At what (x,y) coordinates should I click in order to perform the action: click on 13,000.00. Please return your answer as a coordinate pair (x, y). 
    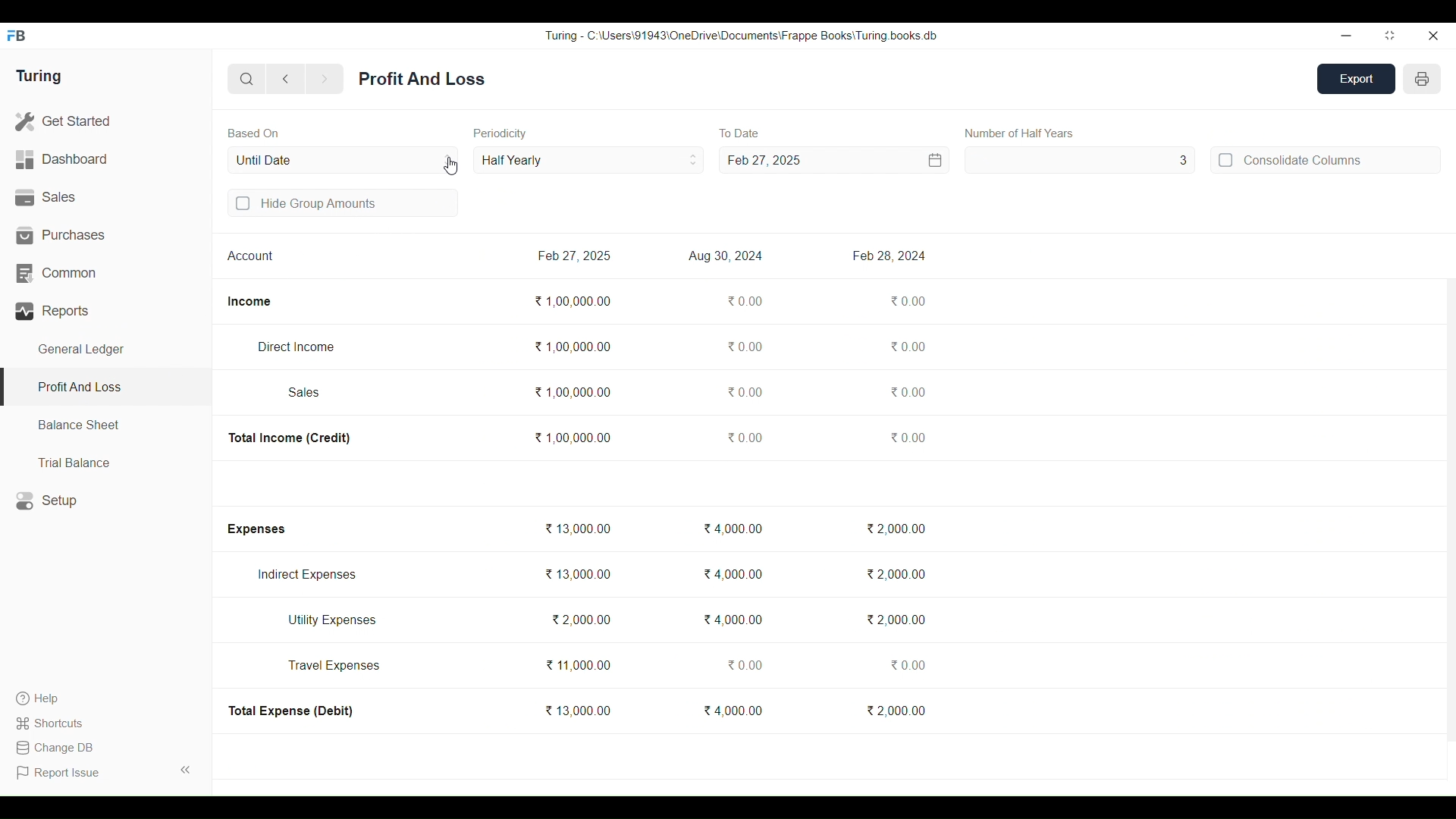
    Looking at the image, I should click on (577, 574).